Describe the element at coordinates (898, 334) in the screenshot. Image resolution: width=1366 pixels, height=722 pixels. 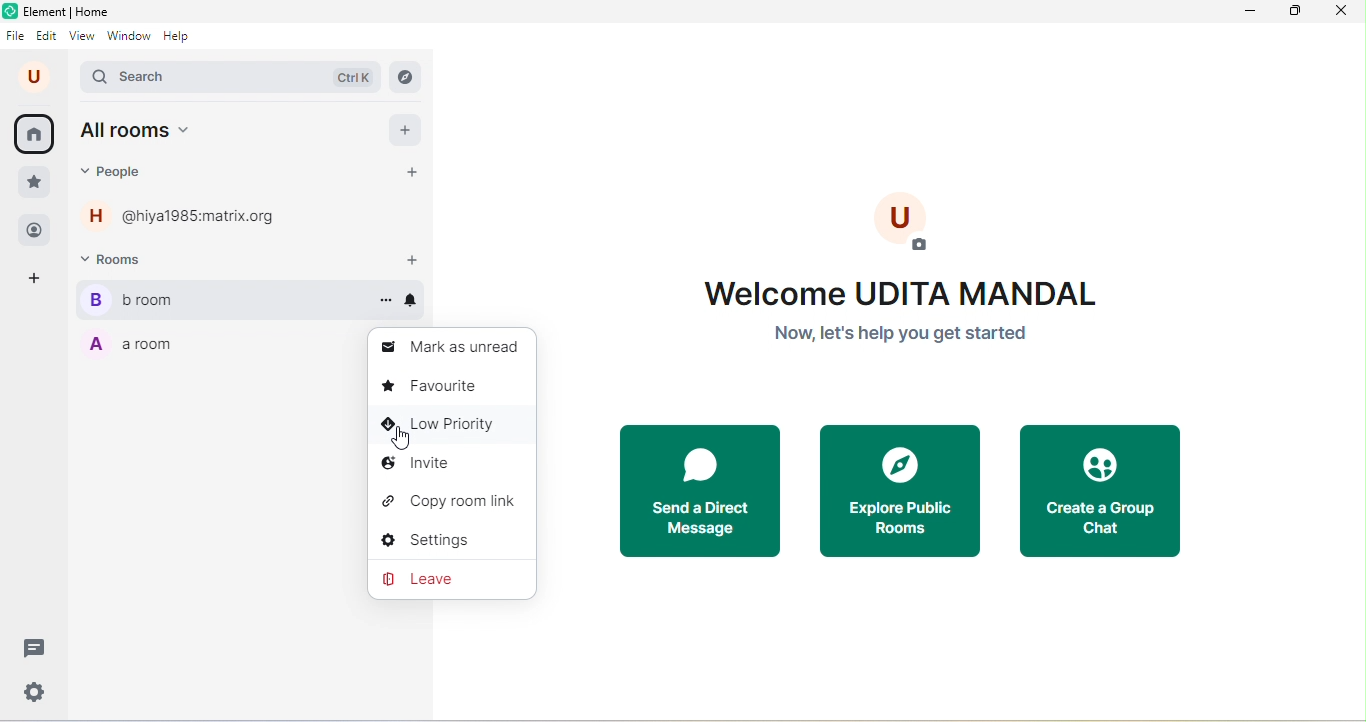
I see `now let"s help you get started` at that location.